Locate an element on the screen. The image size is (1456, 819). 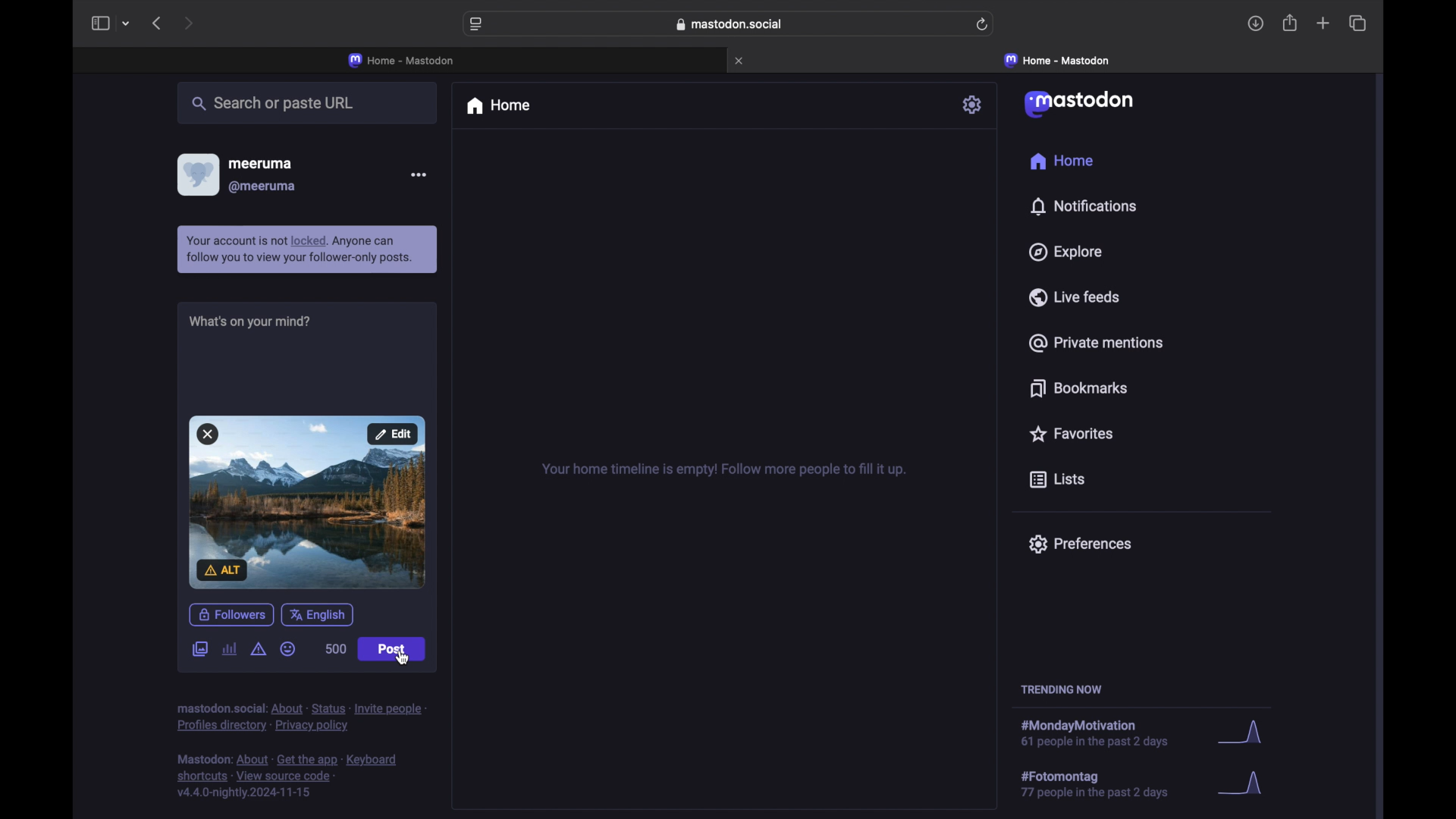
add  poll is located at coordinates (229, 650).